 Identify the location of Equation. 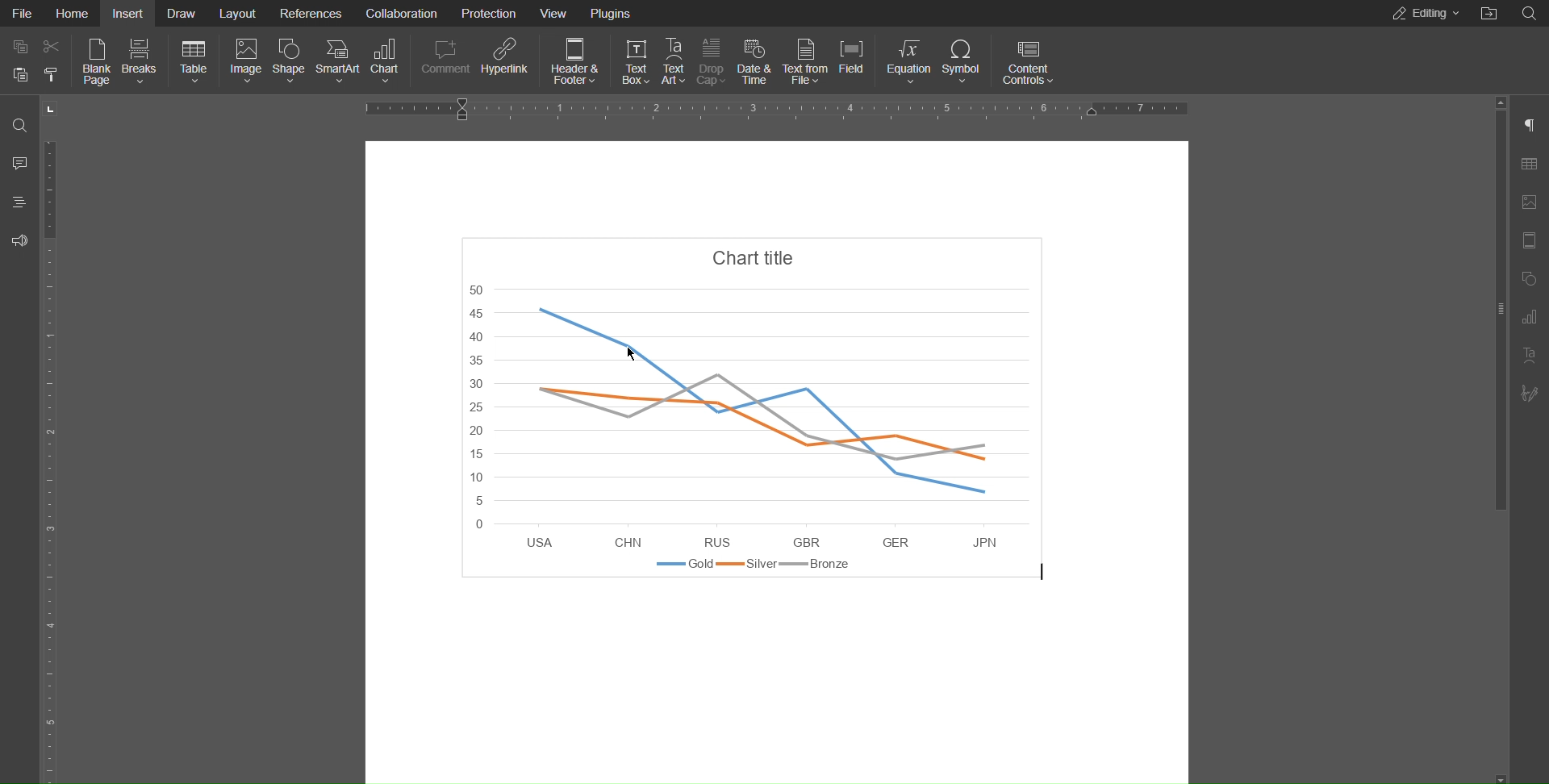
(907, 60).